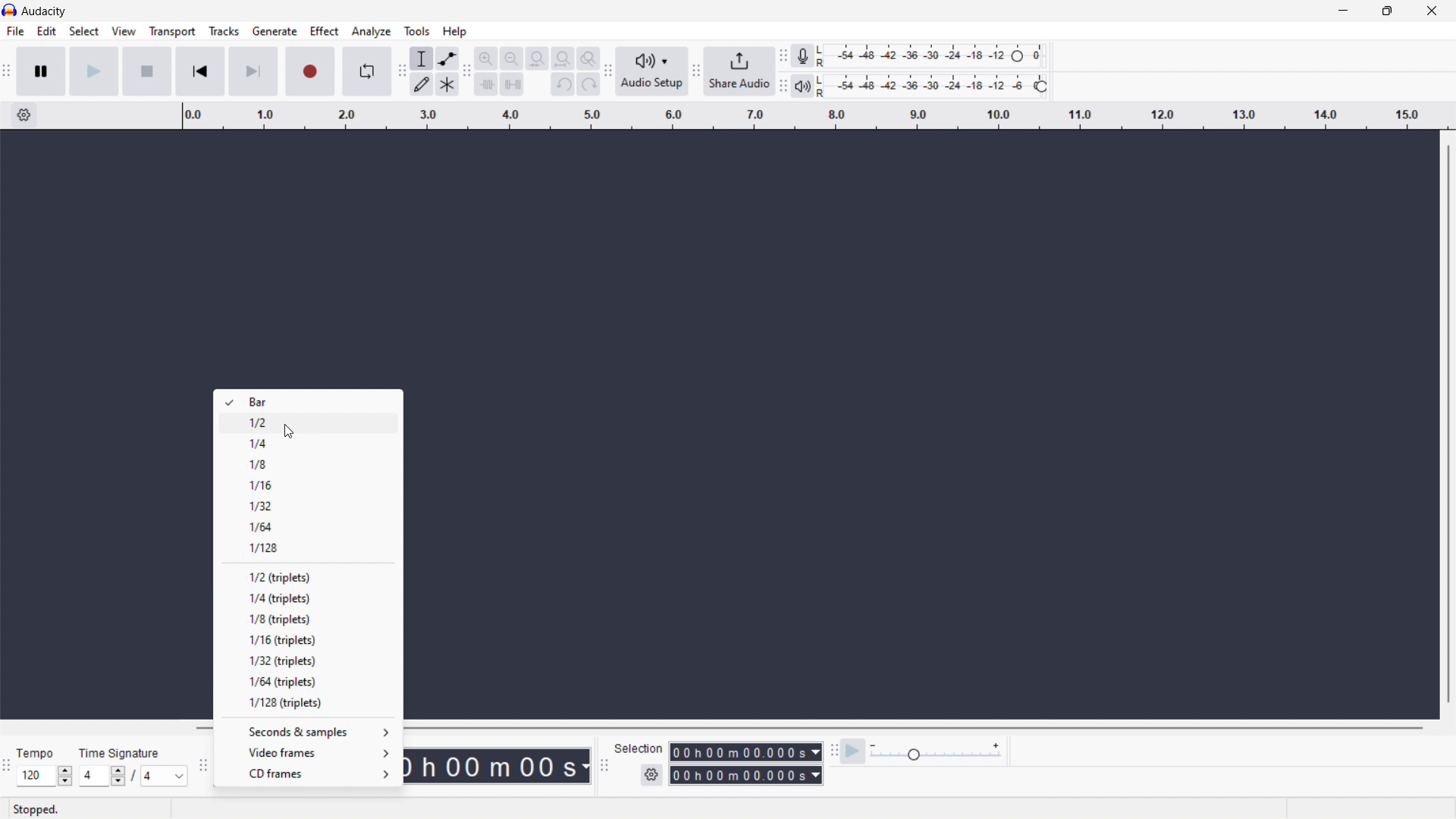 The height and width of the screenshot is (819, 1456). What do you see at coordinates (121, 755) in the screenshot?
I see `Time Signature` at bounding box center [121, 755].